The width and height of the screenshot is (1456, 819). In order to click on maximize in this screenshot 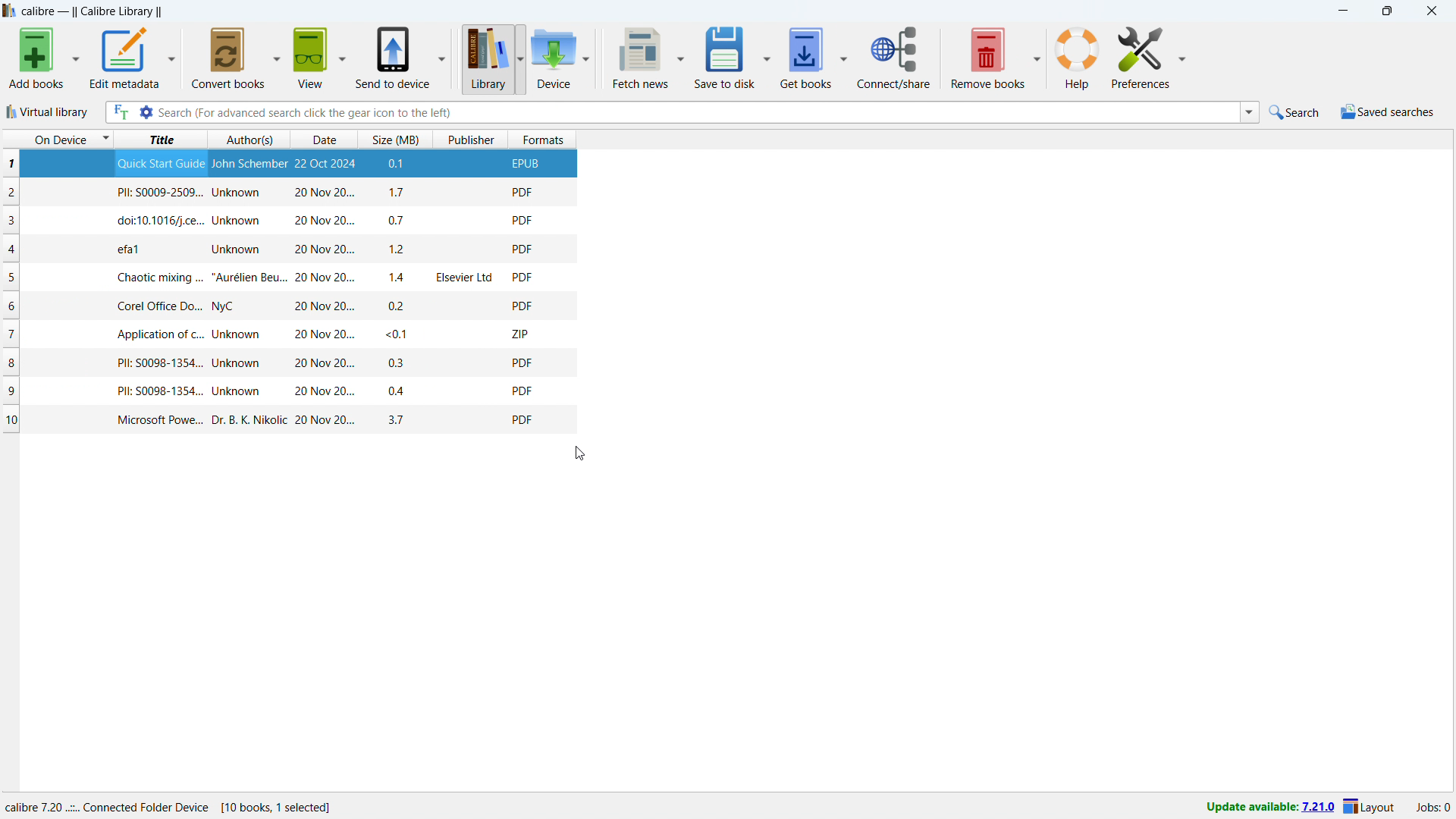, I will do `click(1386, 11)`.